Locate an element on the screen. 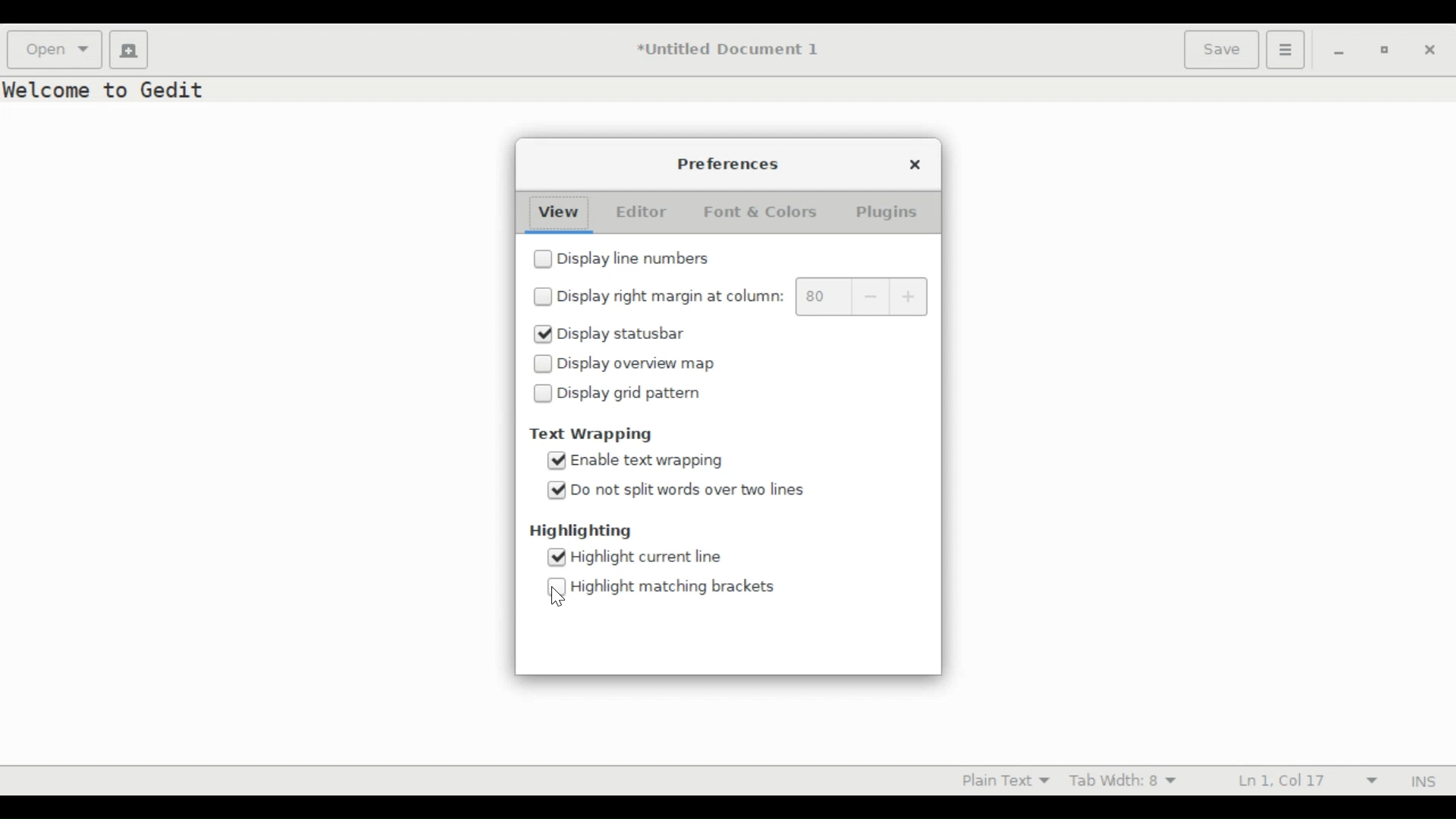 The width and height of the screenshot is (1456, 819). (un)select Display line numbers is located at coordinates (644, 260).